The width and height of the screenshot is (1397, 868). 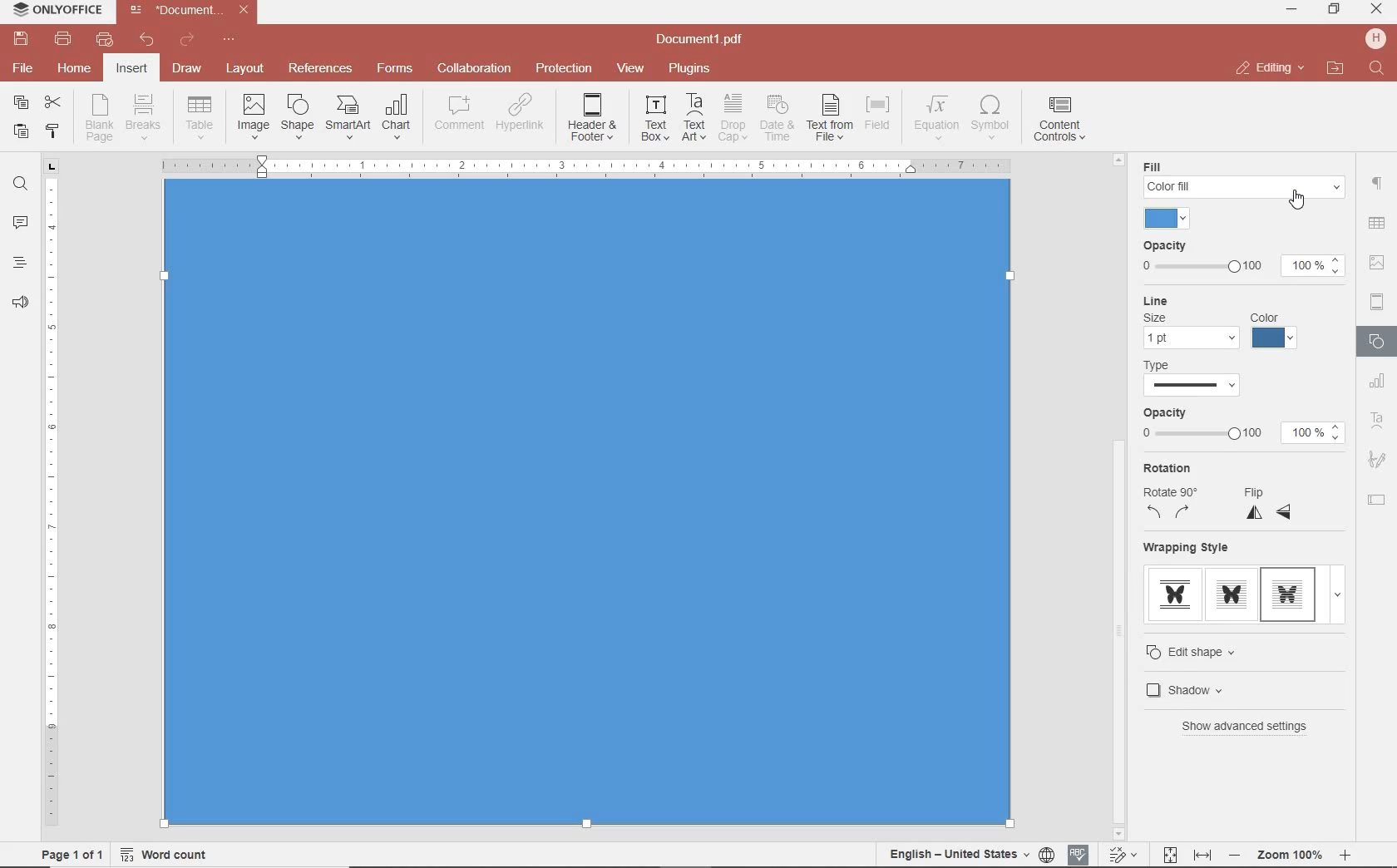 What do you see at coordinates (694, 118) in the screenshot?
I see `INSERT TEXT ART` at bounding box center [694, 118].